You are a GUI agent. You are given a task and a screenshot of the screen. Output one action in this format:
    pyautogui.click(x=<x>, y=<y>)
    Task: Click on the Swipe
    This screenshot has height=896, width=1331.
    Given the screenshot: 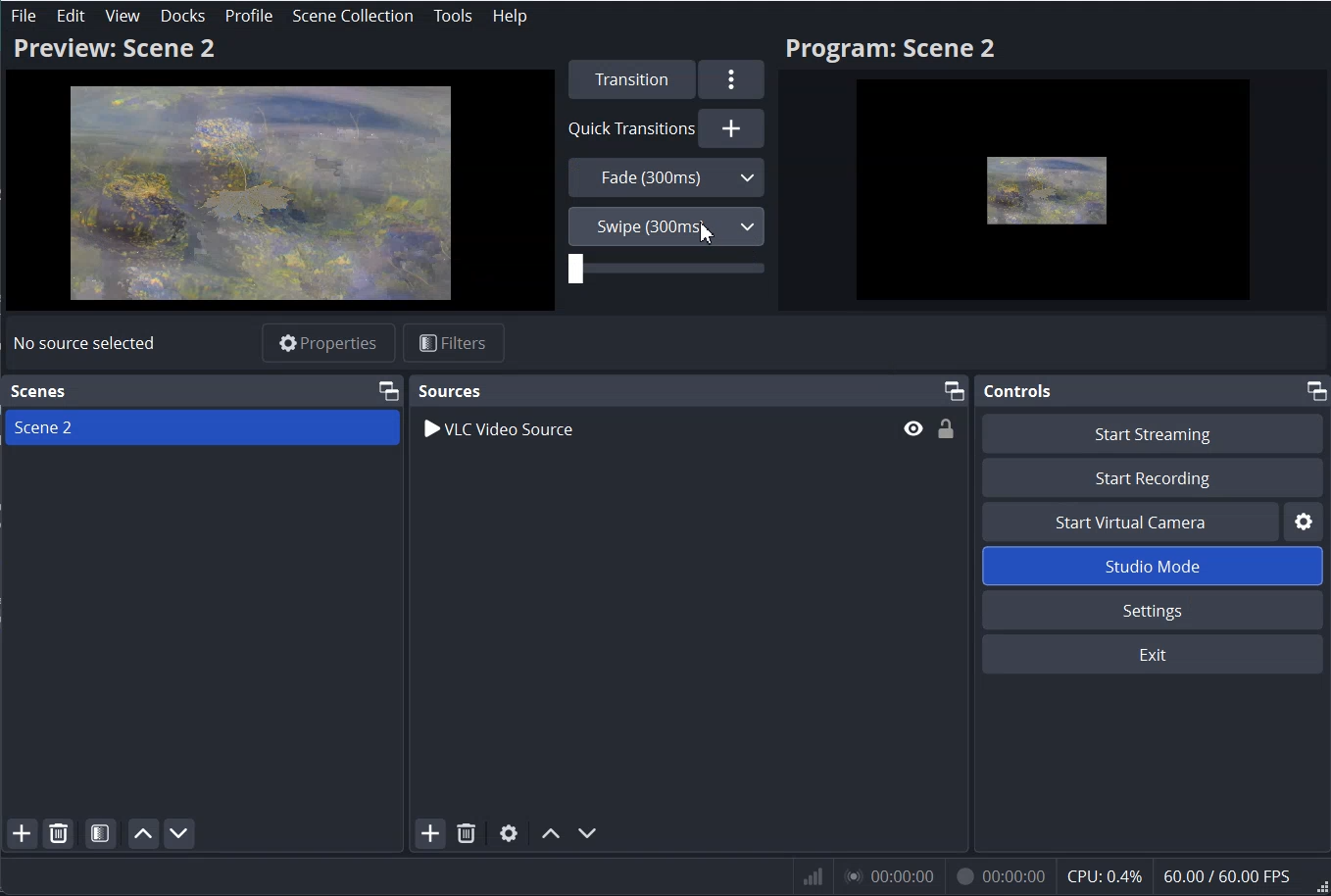 What is the action you would take?
    pyautogui.click(x=665, y=225)
    